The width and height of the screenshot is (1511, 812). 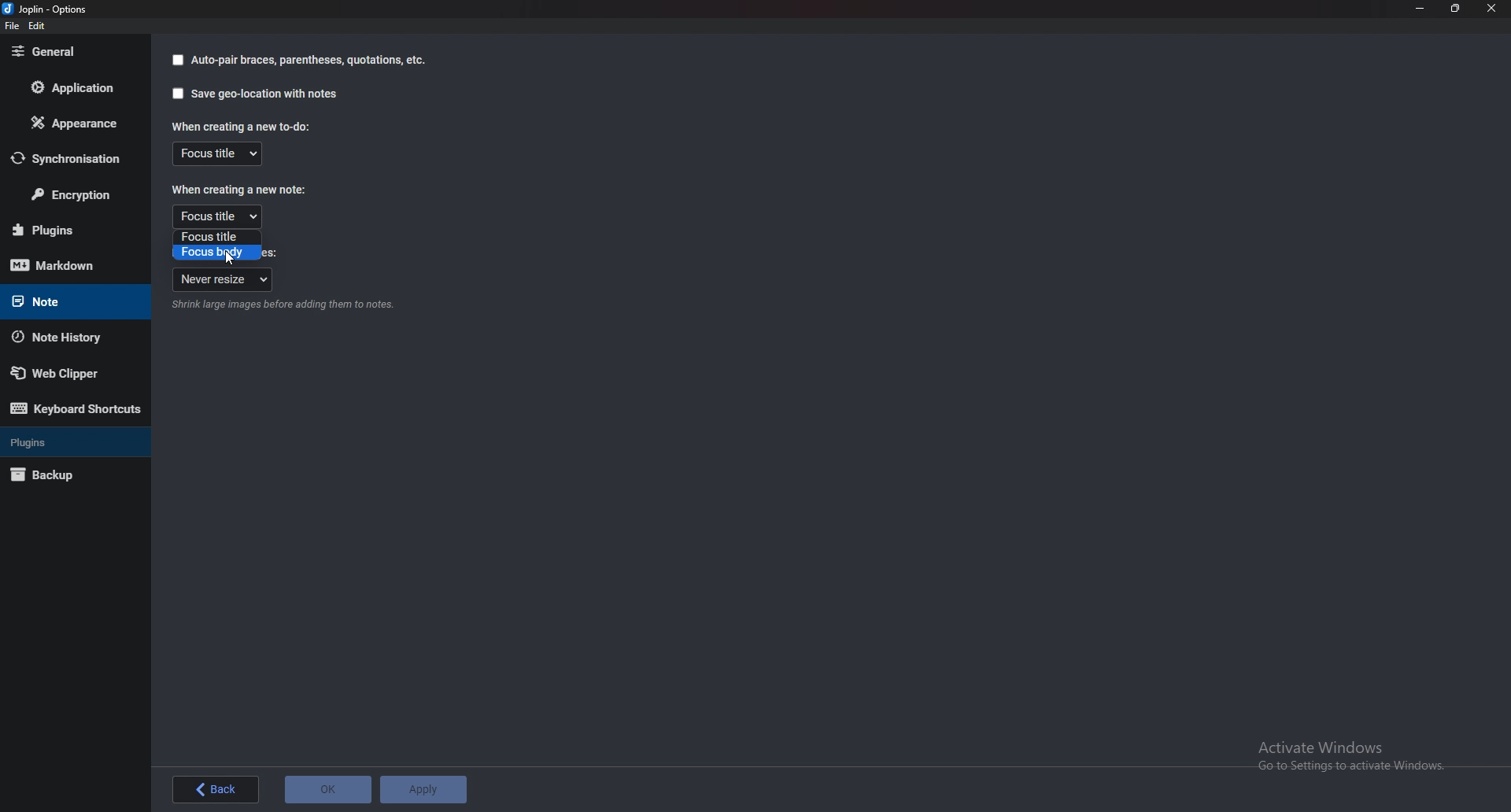 I want to click on When creating a new note, so click(x=240, y=190).